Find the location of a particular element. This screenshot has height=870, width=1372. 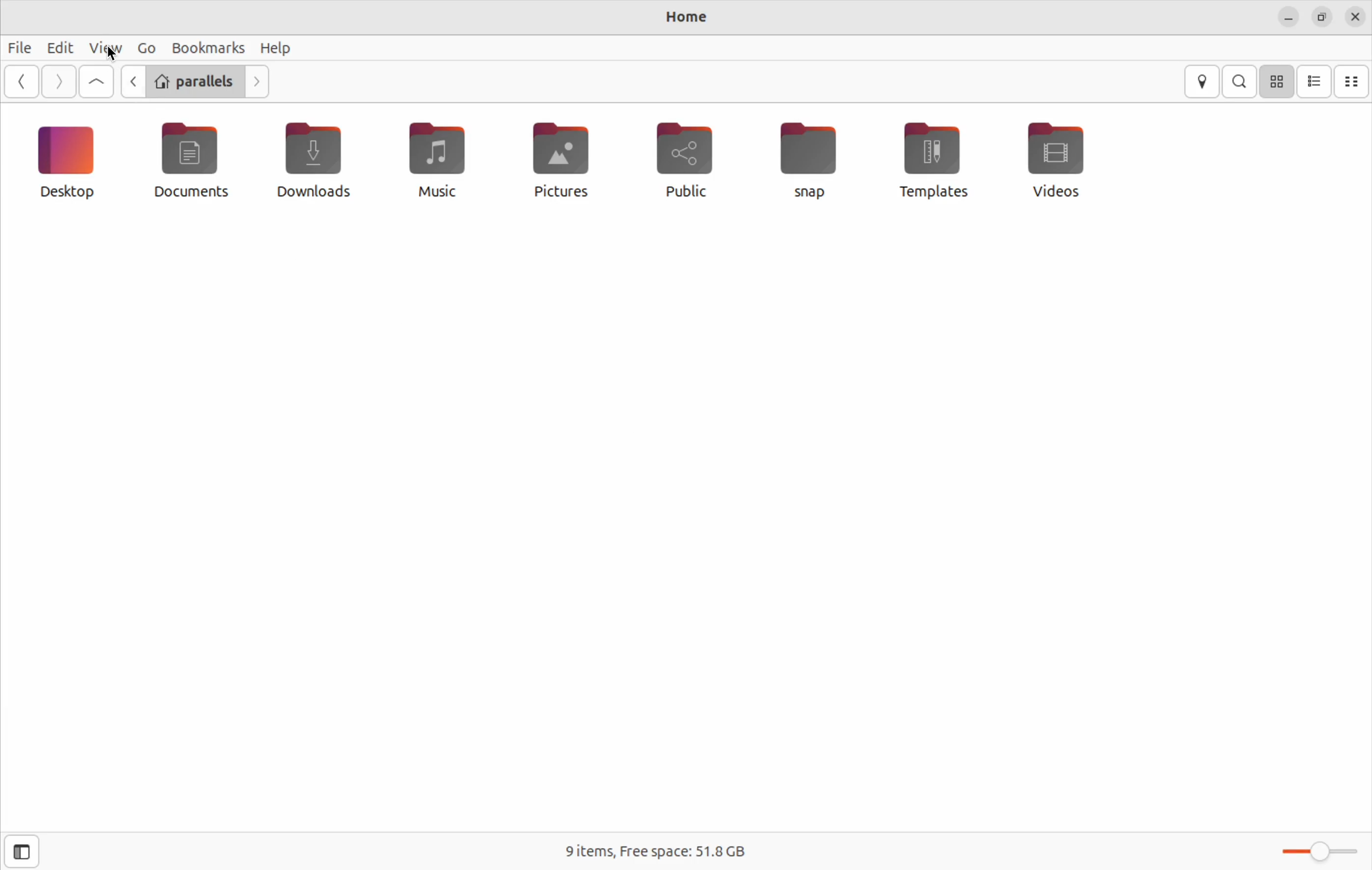

Go is located at coordinates (145, 47).